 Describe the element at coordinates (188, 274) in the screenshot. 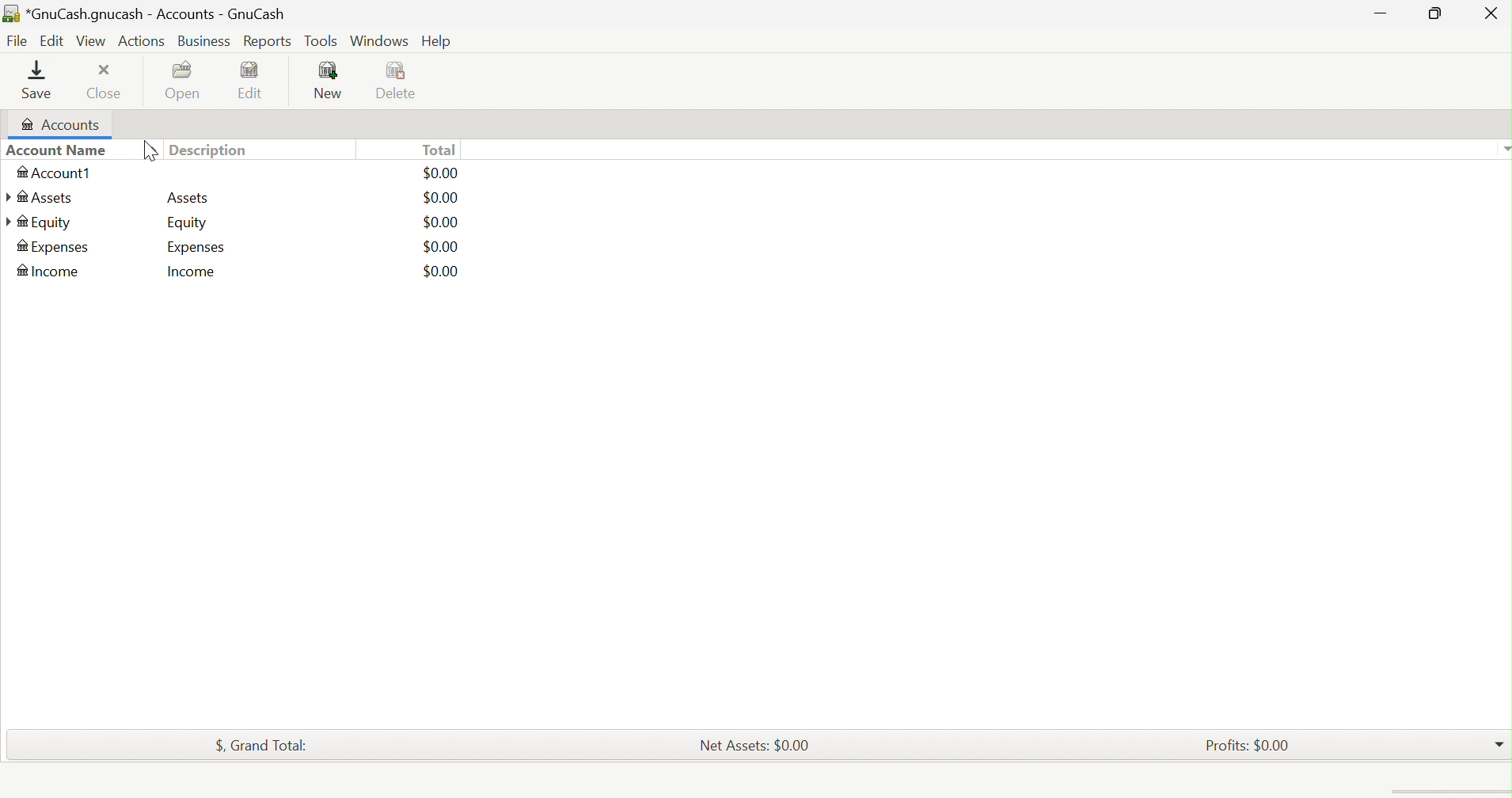

I see `Income` at that location.